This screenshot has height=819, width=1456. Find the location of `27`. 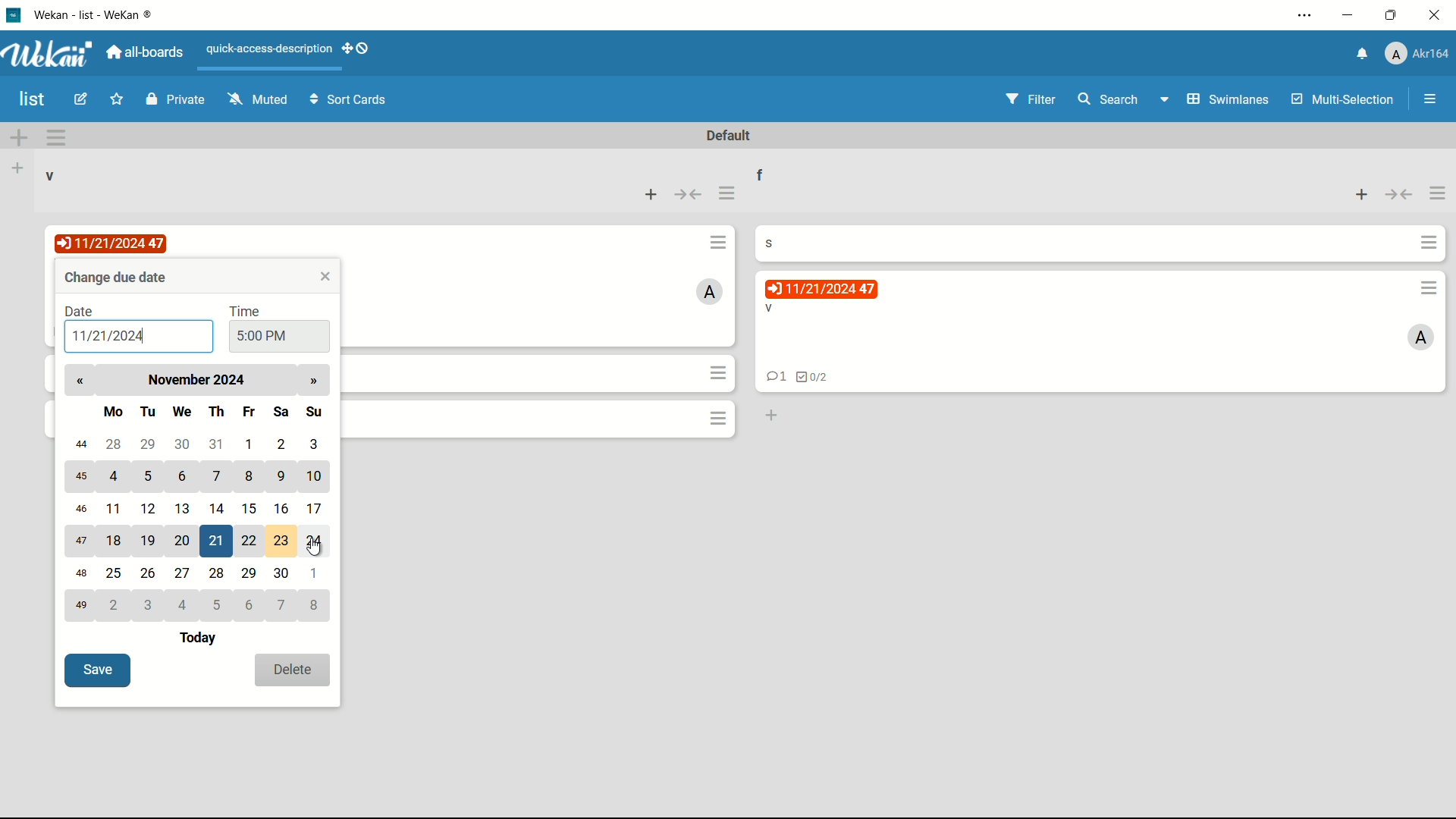

27 is located at coordinates (185, 572).